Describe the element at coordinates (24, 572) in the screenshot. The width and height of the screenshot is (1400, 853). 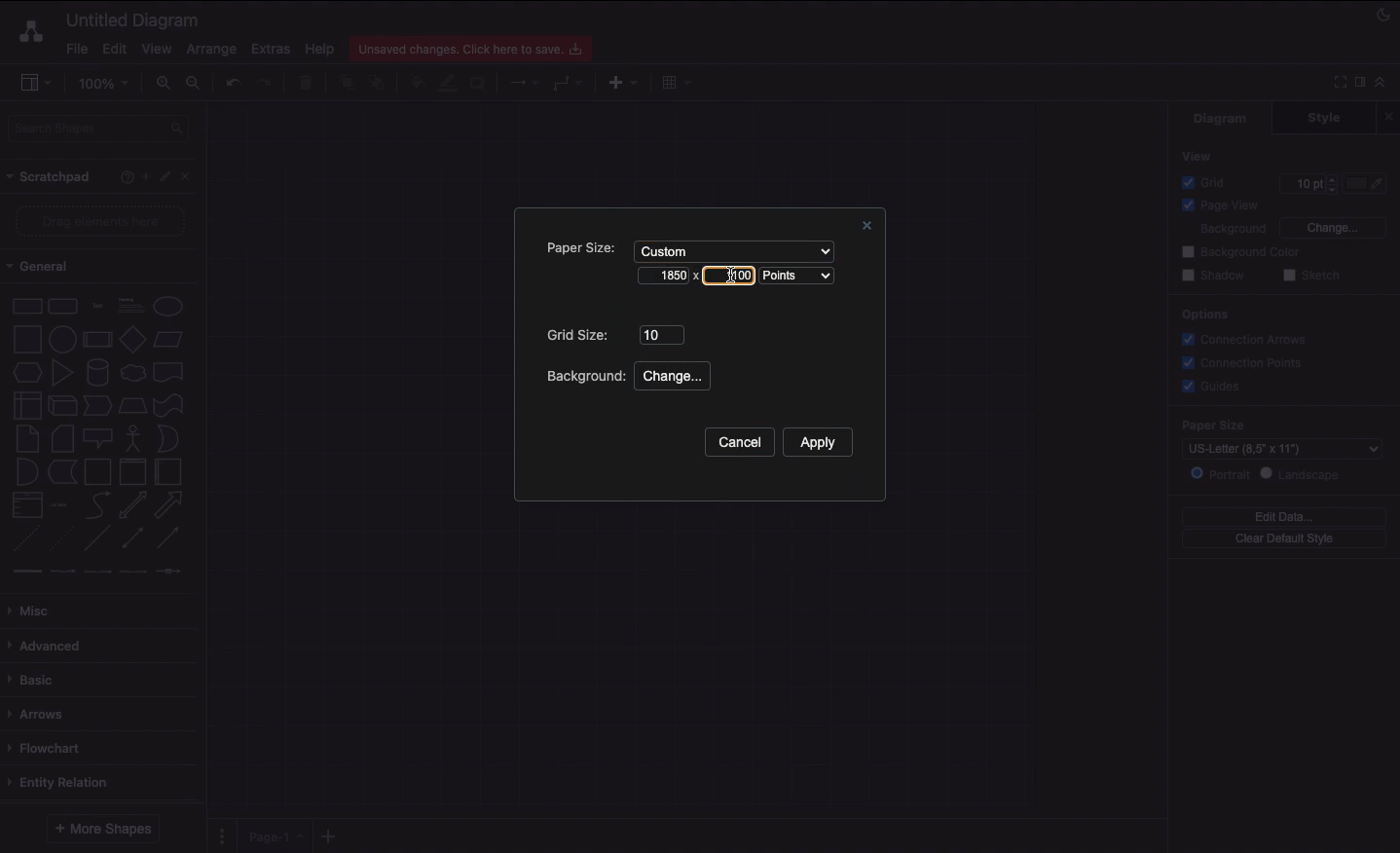
I see `connector 1` at that location.